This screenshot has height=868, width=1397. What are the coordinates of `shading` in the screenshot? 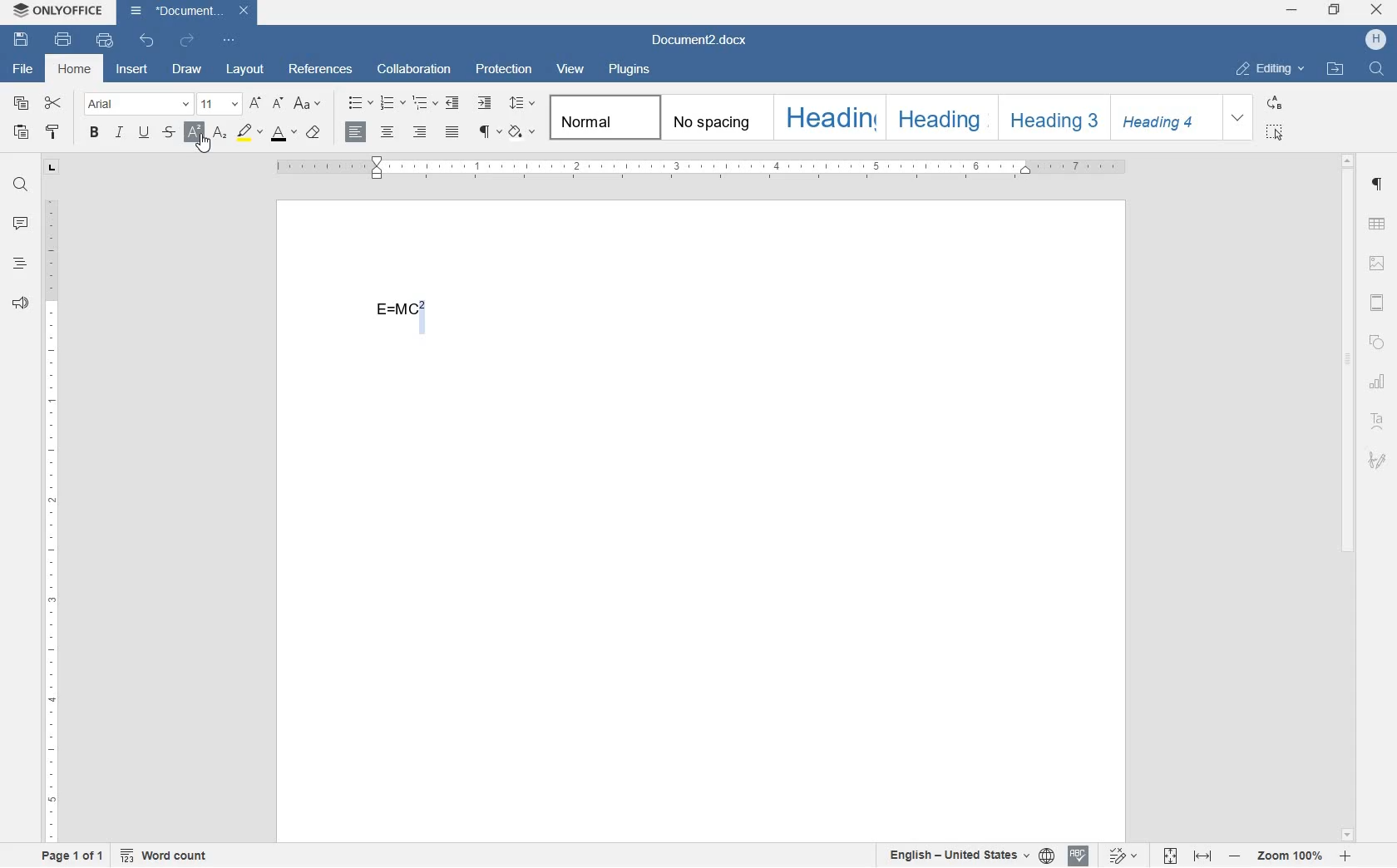 It's located at (520, 132).